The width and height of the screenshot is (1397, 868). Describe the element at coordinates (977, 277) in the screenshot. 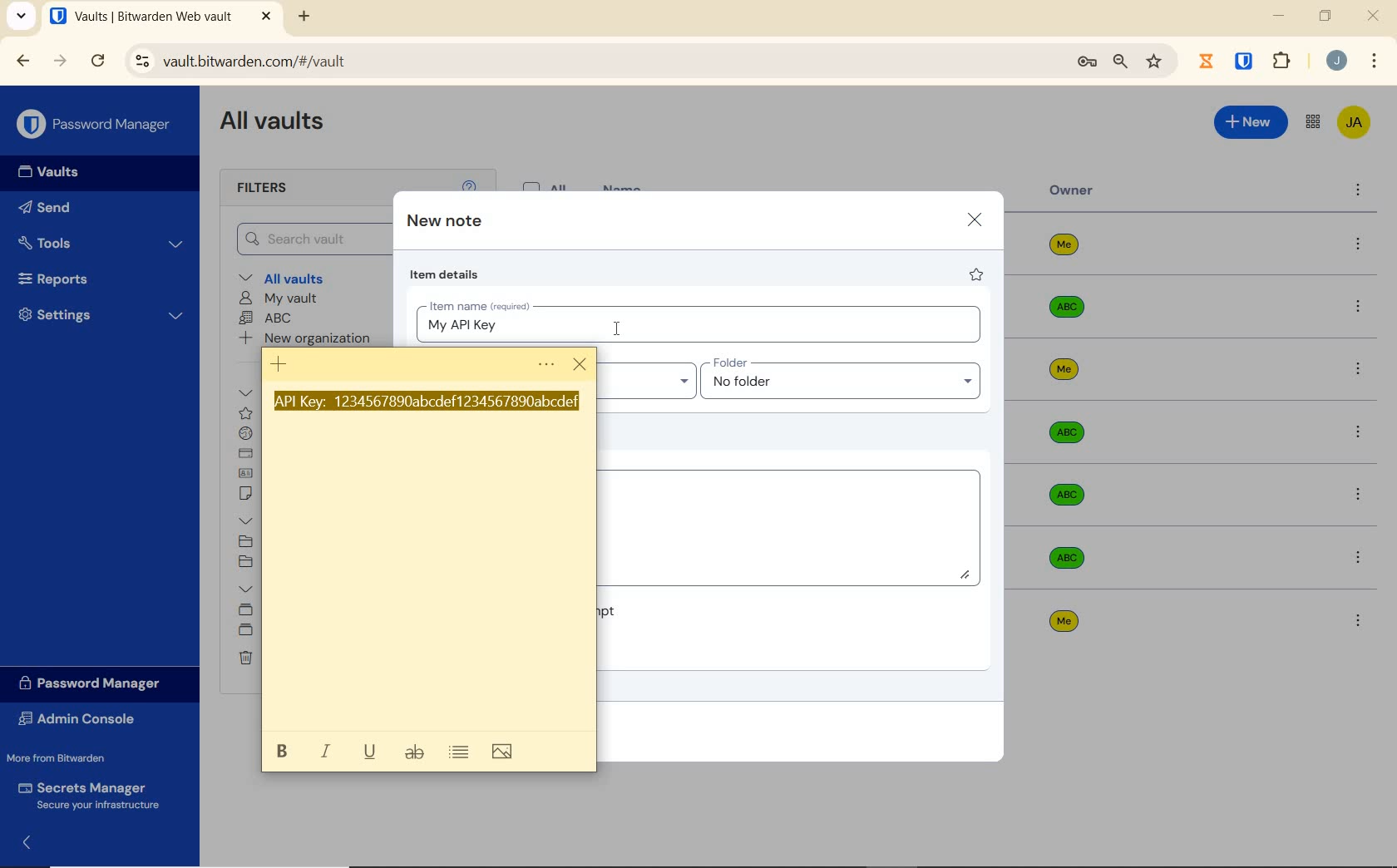

I see `favorite` at that location.